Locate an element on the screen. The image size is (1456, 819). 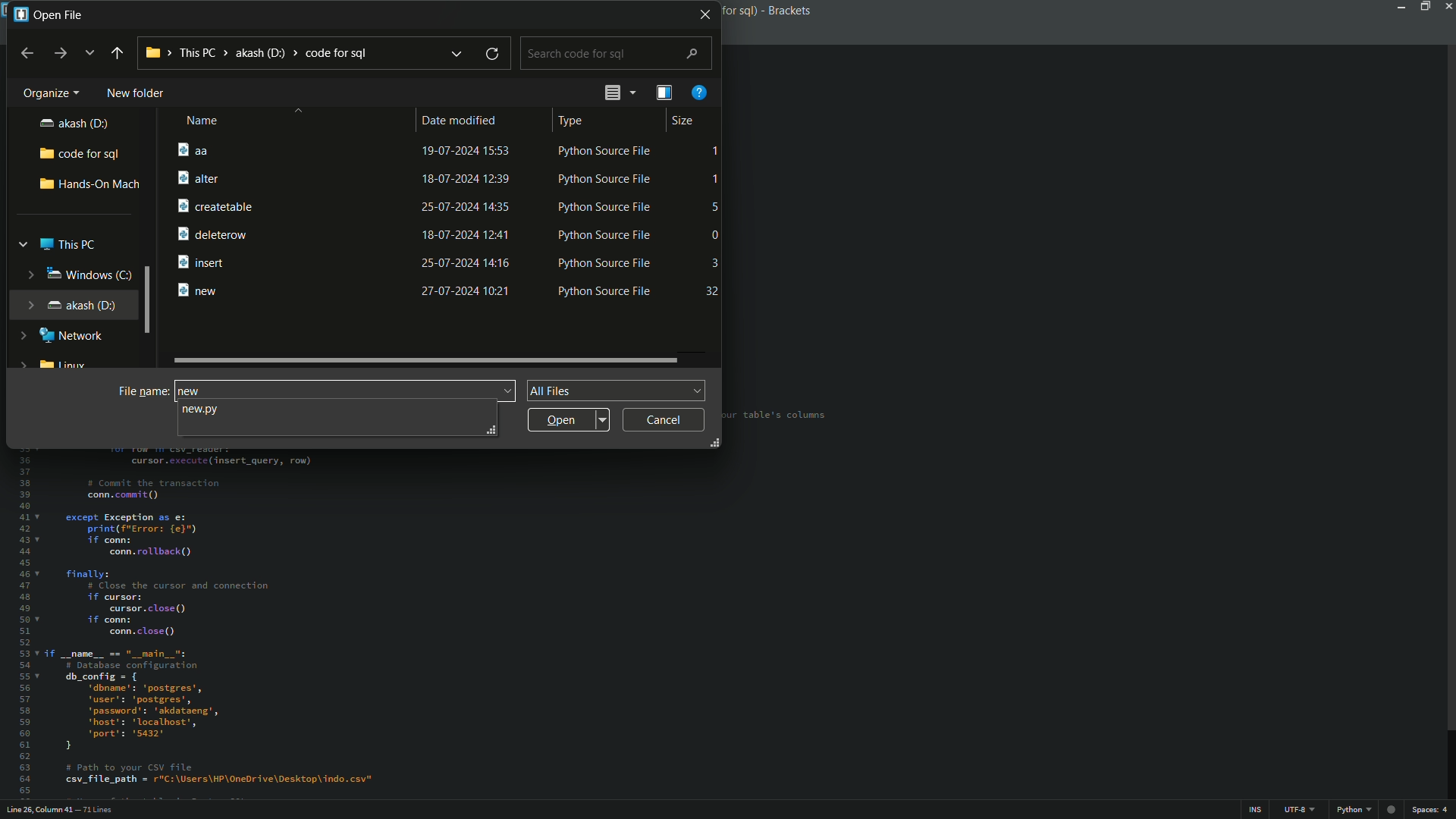
alter is located at coordinates (199, 177).